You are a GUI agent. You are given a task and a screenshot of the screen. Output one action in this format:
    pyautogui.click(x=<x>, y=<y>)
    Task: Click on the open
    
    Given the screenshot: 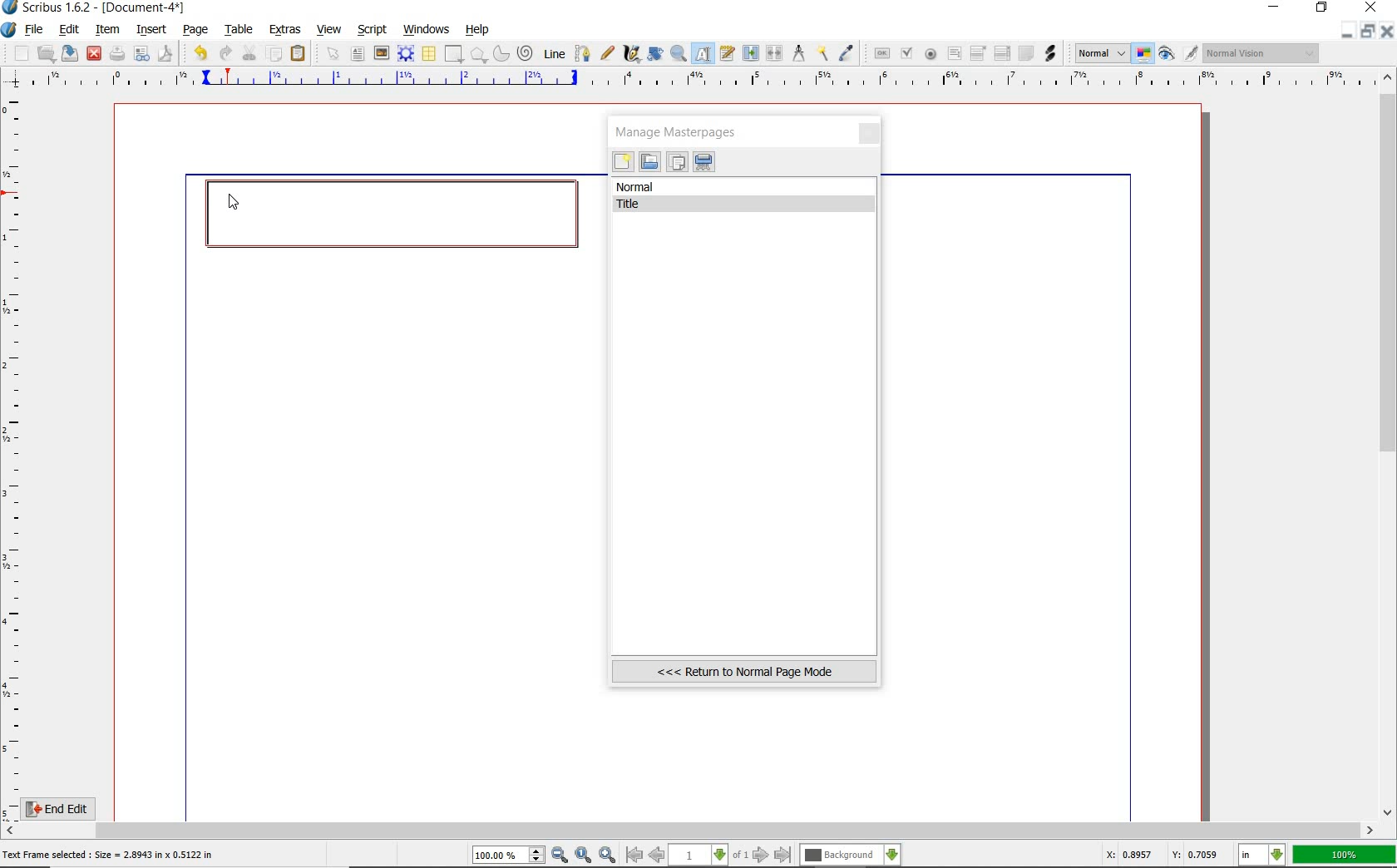 What is the action you would take?
    pyautogui.click(x=47, y=53)
    